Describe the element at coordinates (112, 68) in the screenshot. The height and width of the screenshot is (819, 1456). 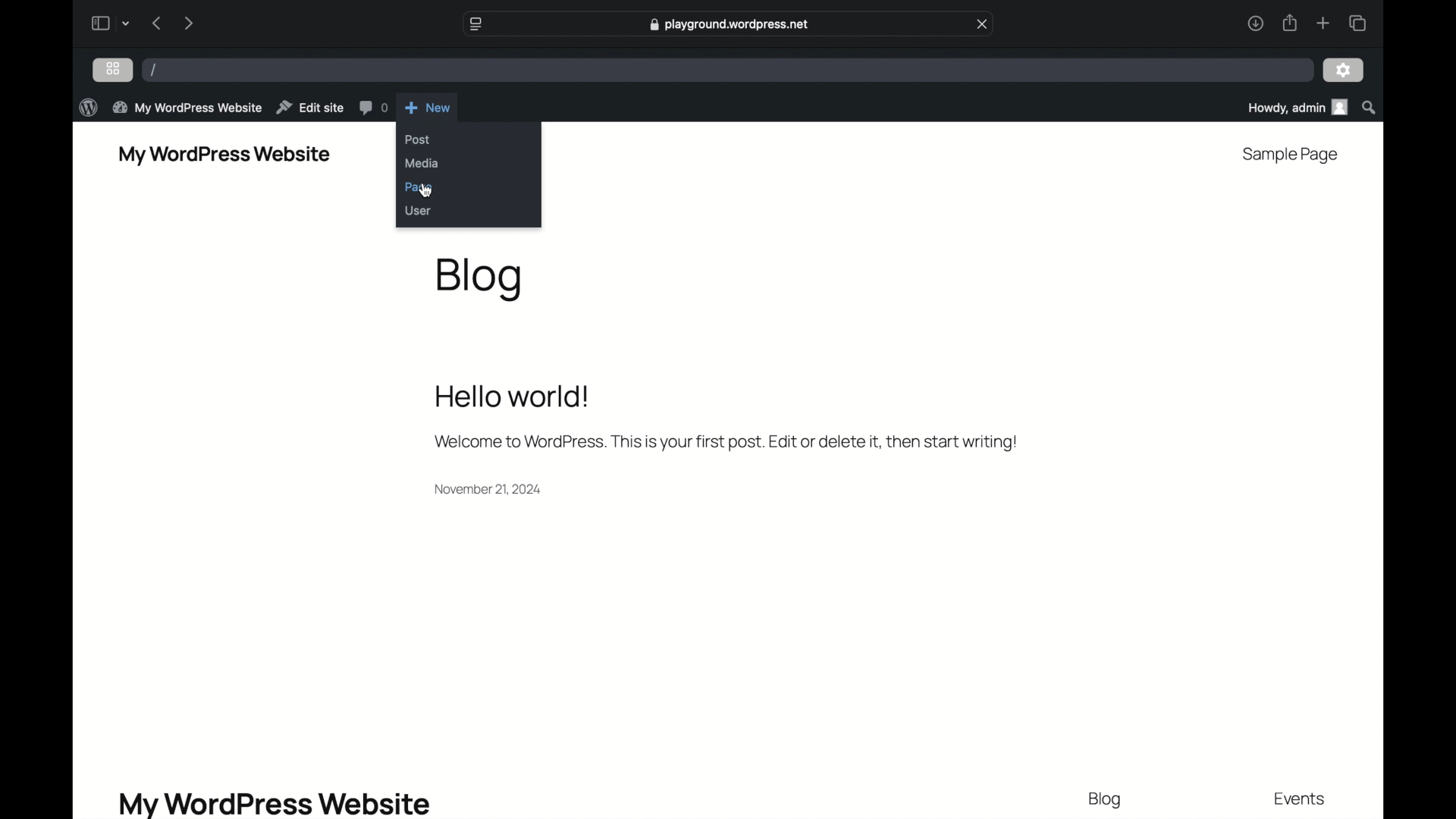
I see `grid` at that location.